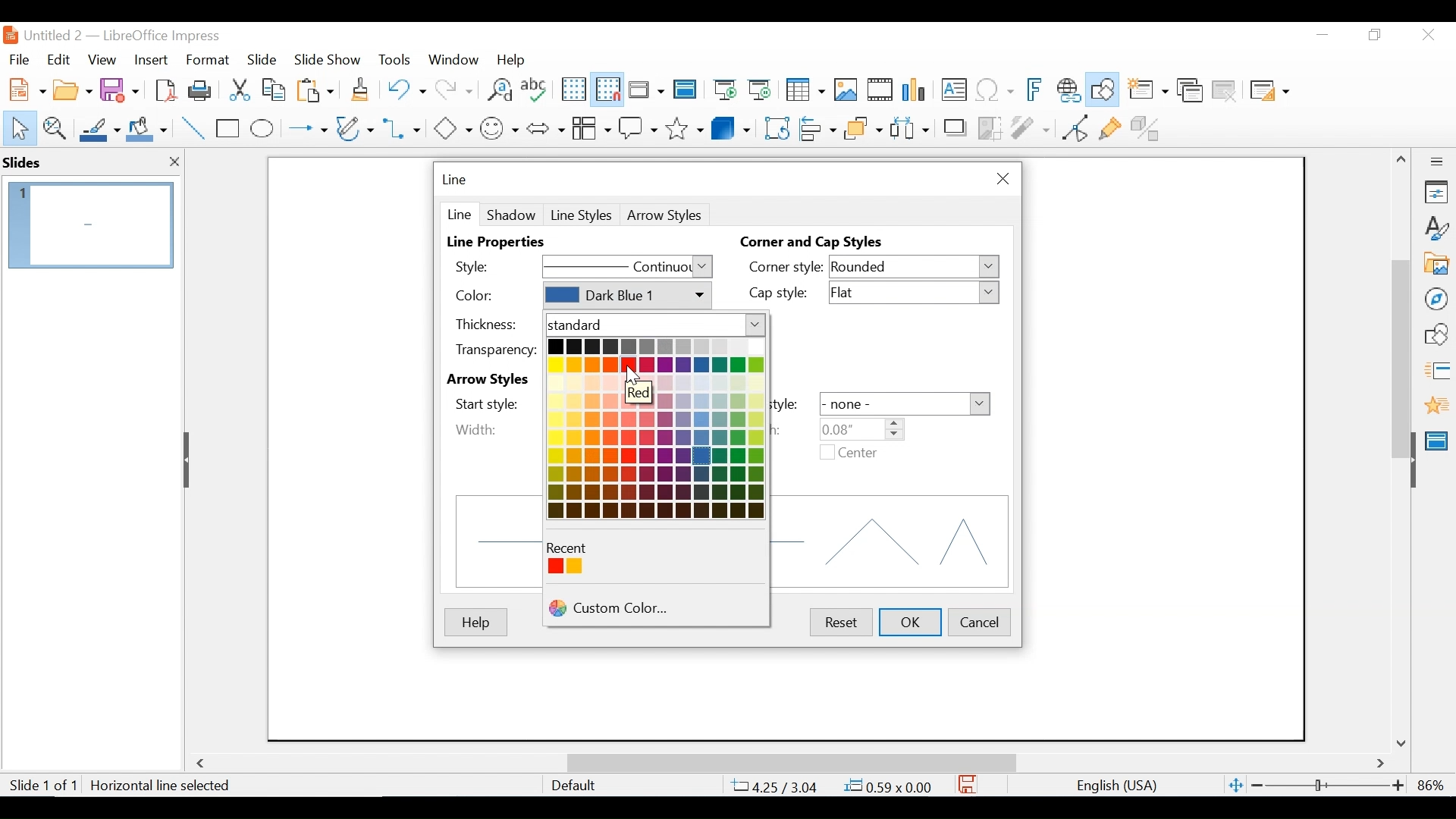 The image size is (1456, 819). I want to click on Arrow Styles, so click(493, 380).